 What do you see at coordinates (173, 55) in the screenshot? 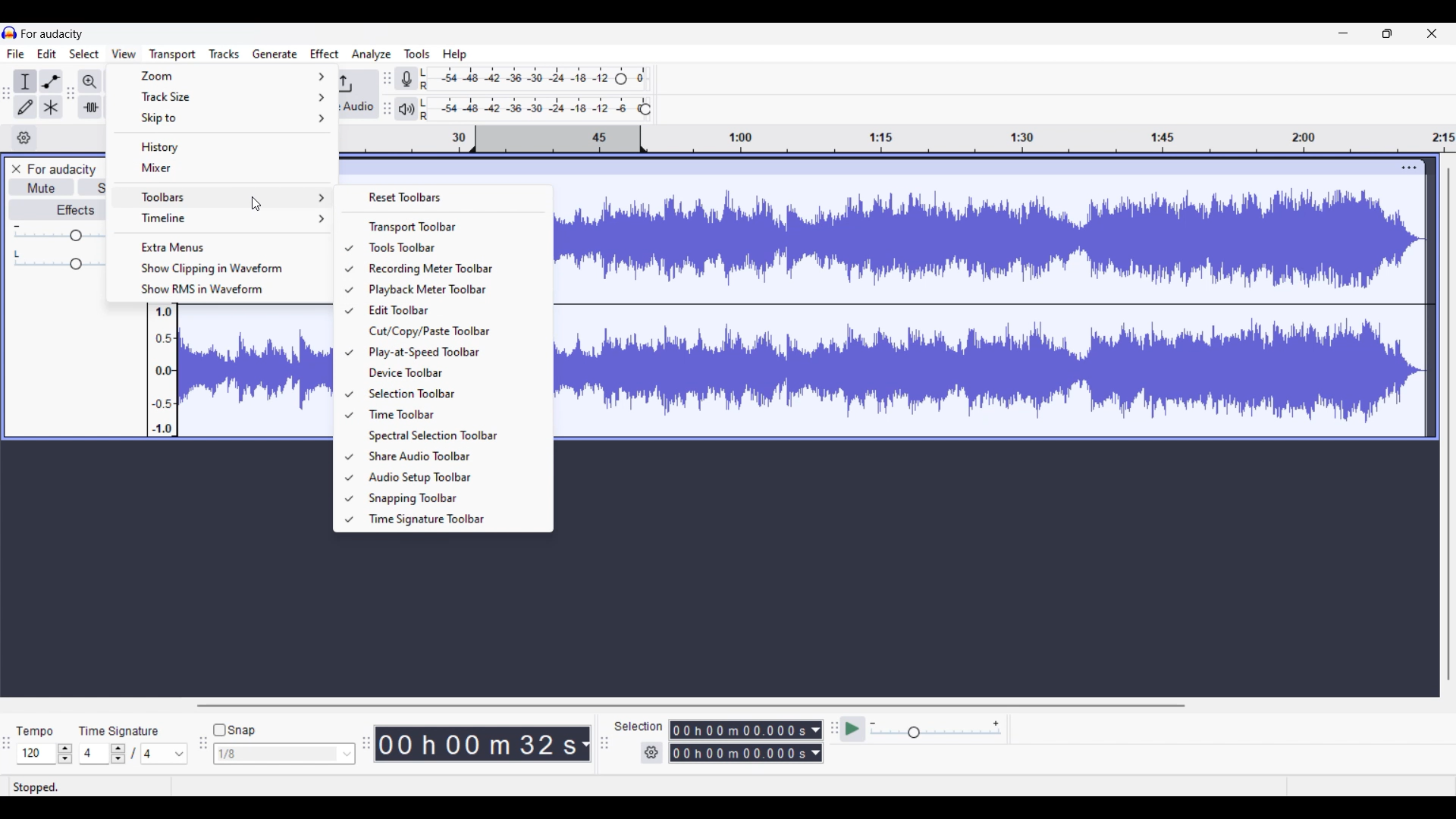
I see `Transport menu` at bounding box center [173, 55].